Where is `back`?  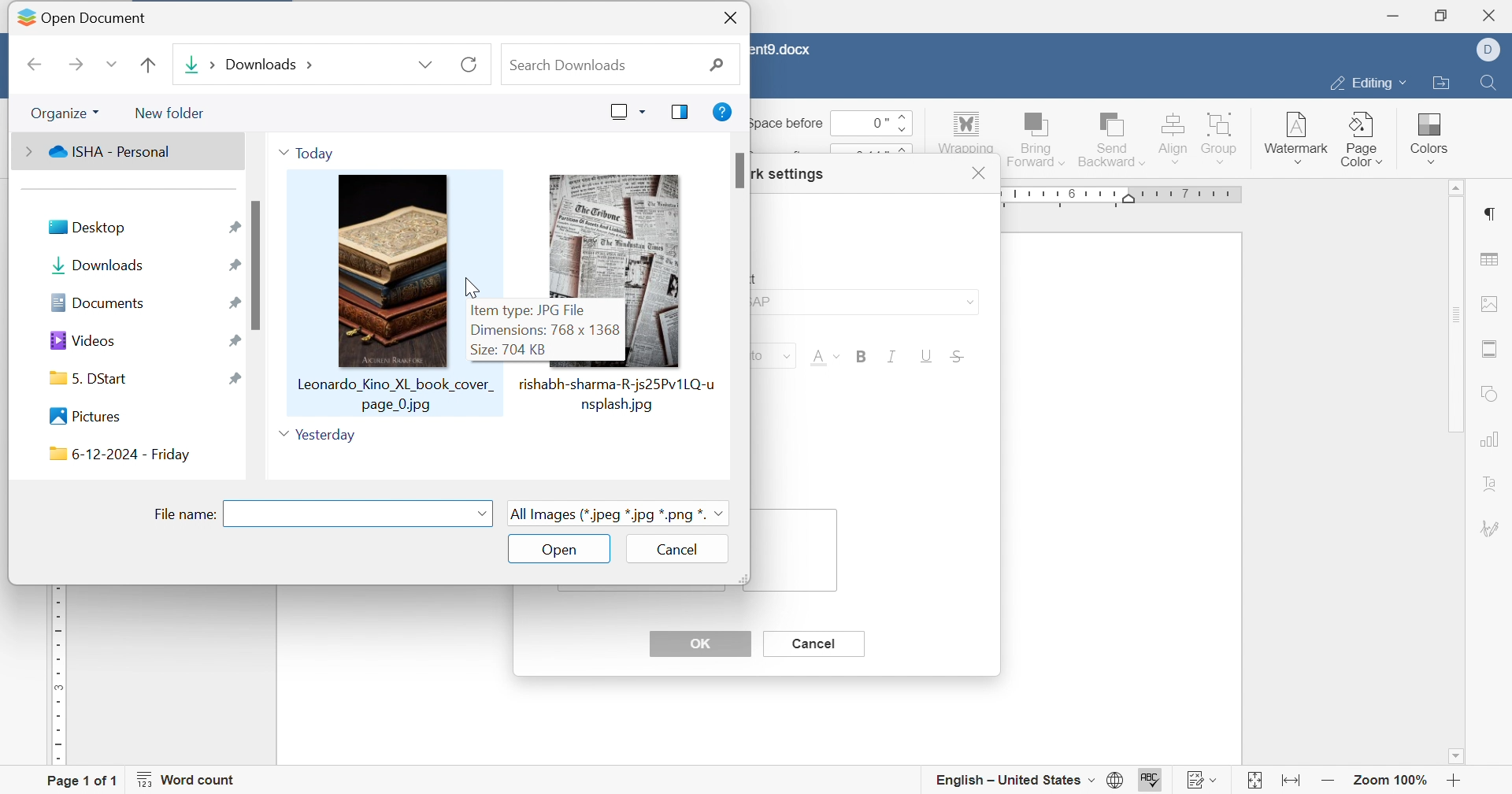
back is located at coordinates (31, 65).